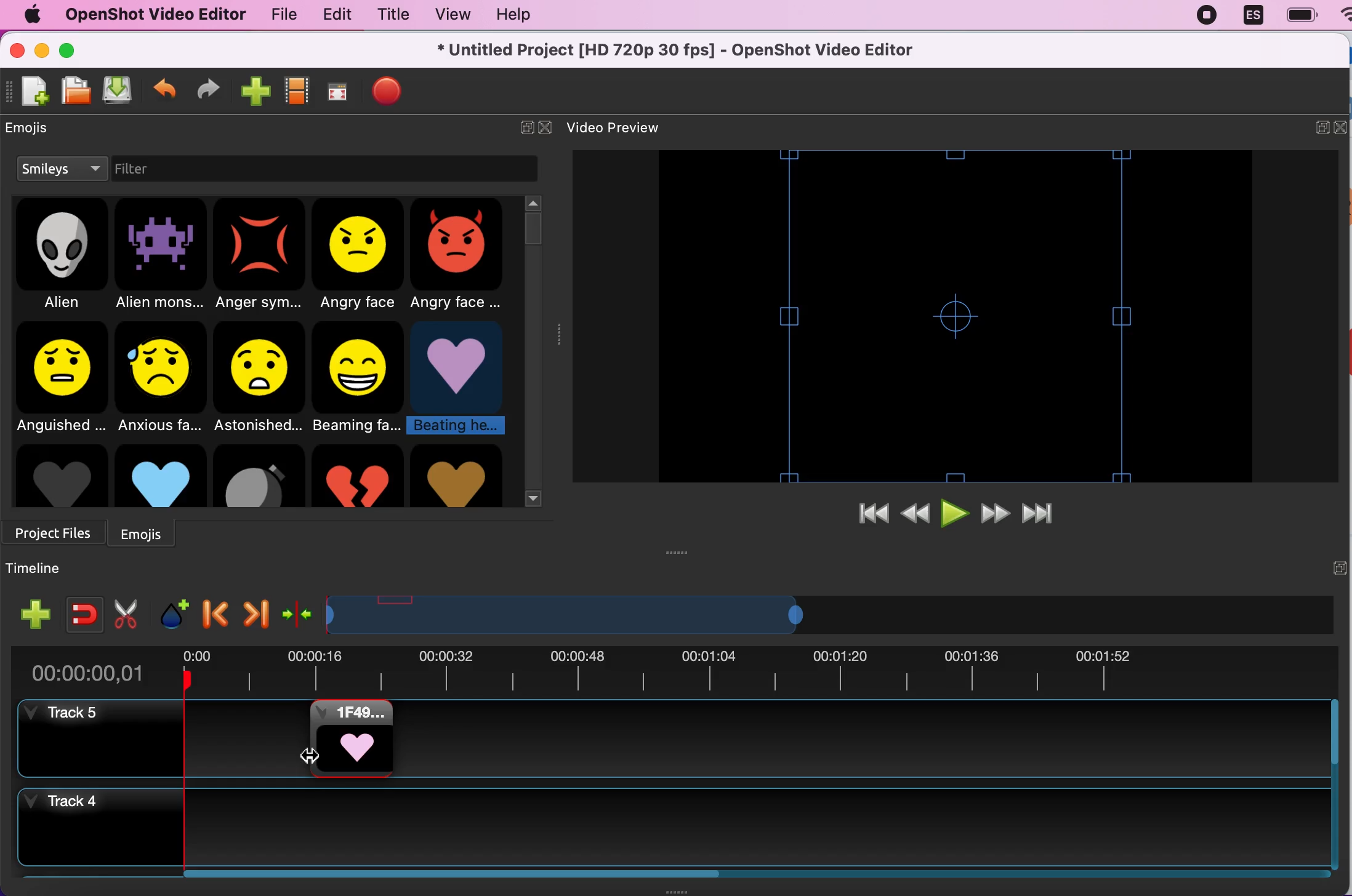 The height and width of the screenshot is (896, 1352). What do you see at coordinates (29, 97) in the screenshot?
I see `new file` at bounding box center [29, 97].